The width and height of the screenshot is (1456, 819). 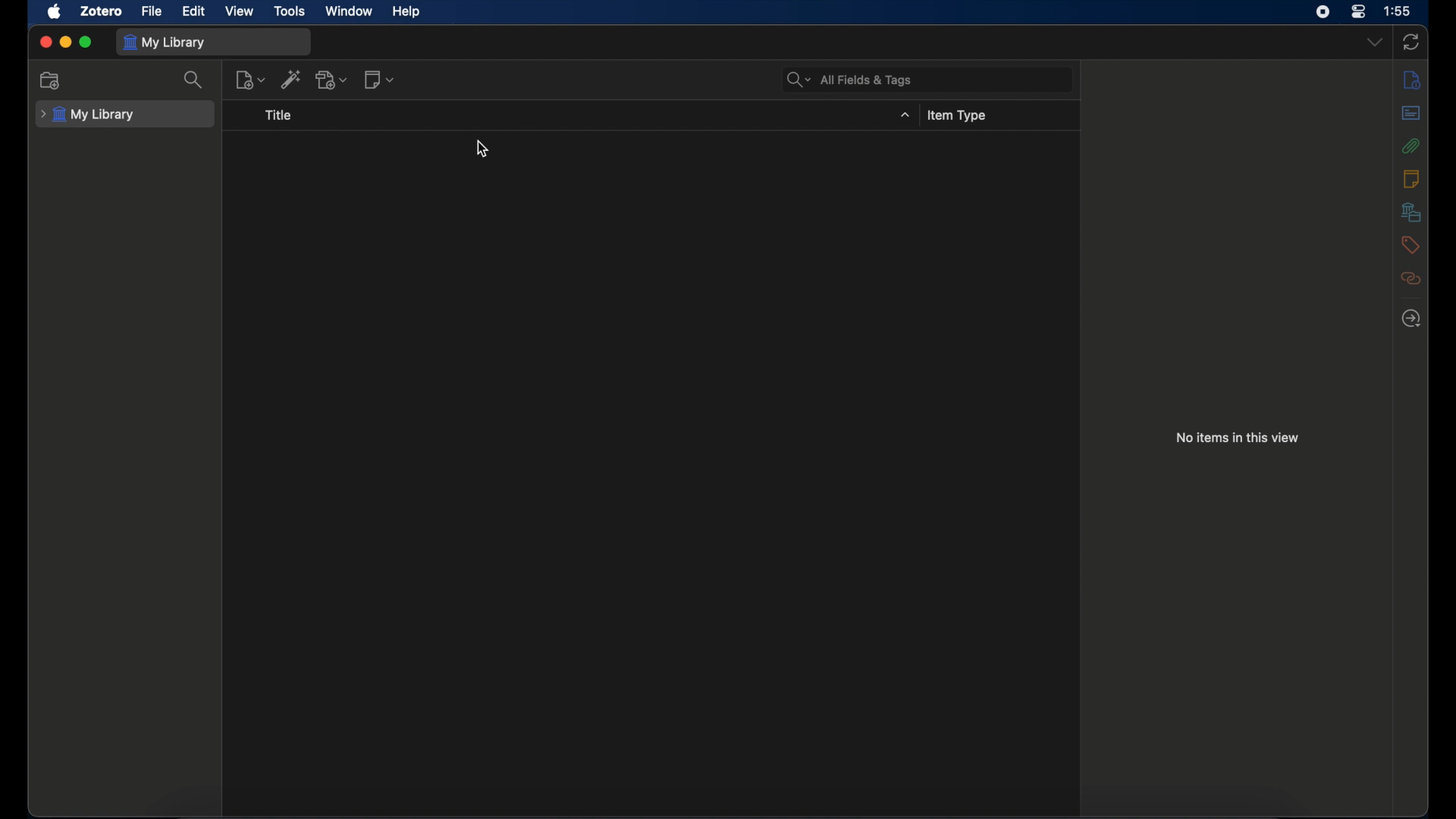 What do you see at coordinates (851, 80) in the screenshot?
I see `all fields & tags` at bounding box center [851, 80].